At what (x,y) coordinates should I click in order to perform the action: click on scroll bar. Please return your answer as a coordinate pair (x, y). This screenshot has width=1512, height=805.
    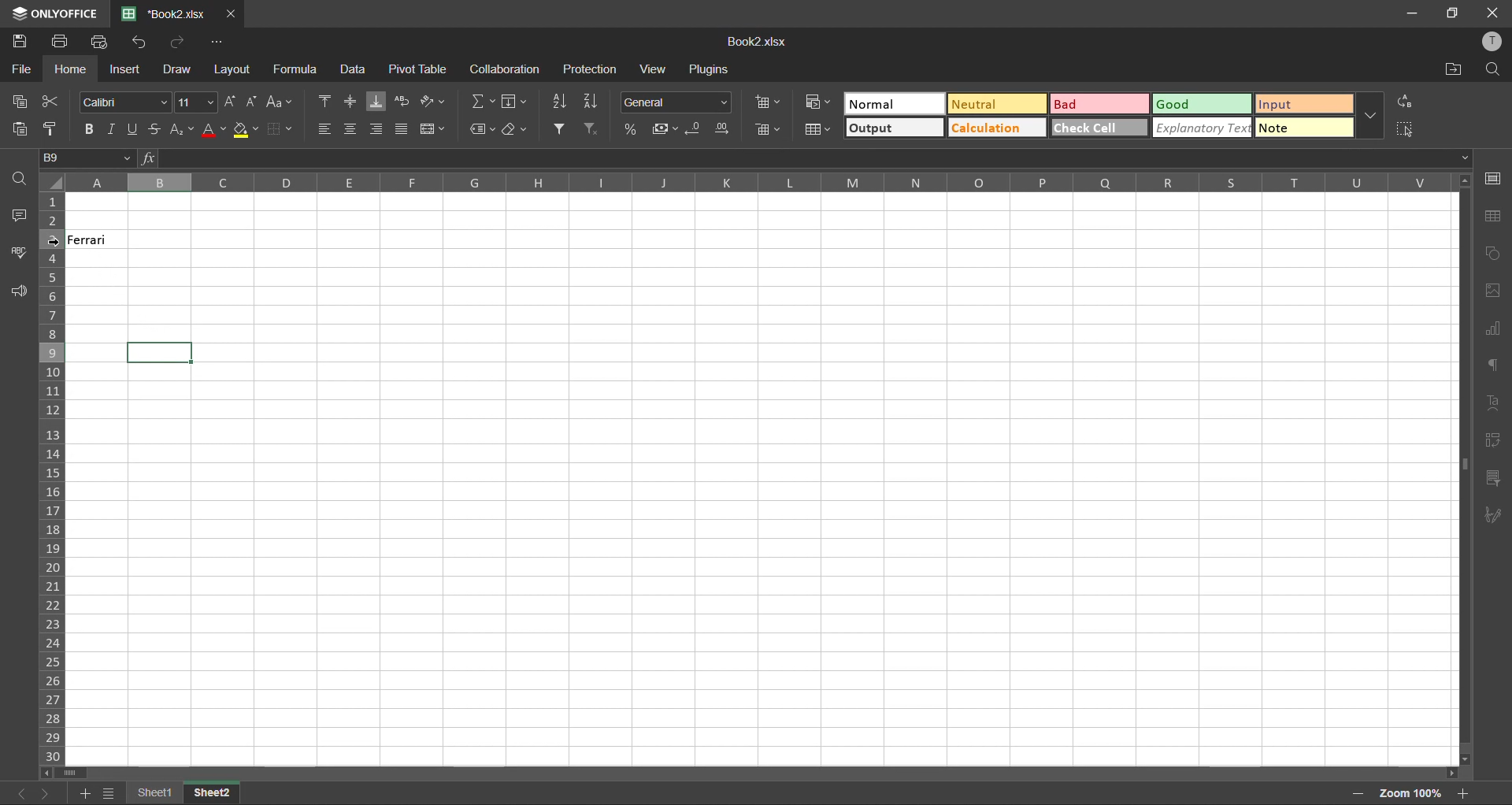
    Looking at the image, I should click on (70, 772).